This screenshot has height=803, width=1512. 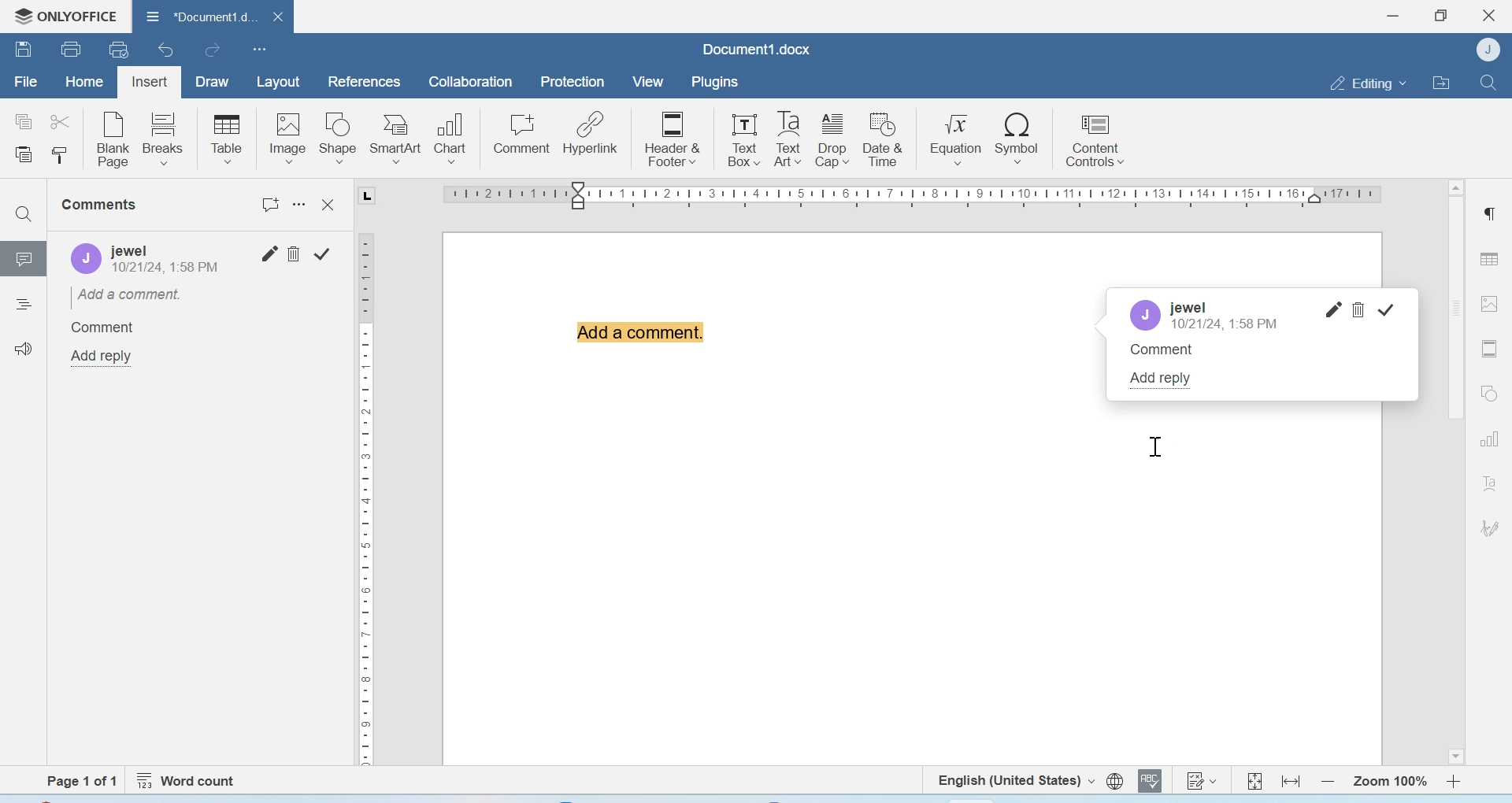 I want to click on Content controls, so click(x=1094, y=138).